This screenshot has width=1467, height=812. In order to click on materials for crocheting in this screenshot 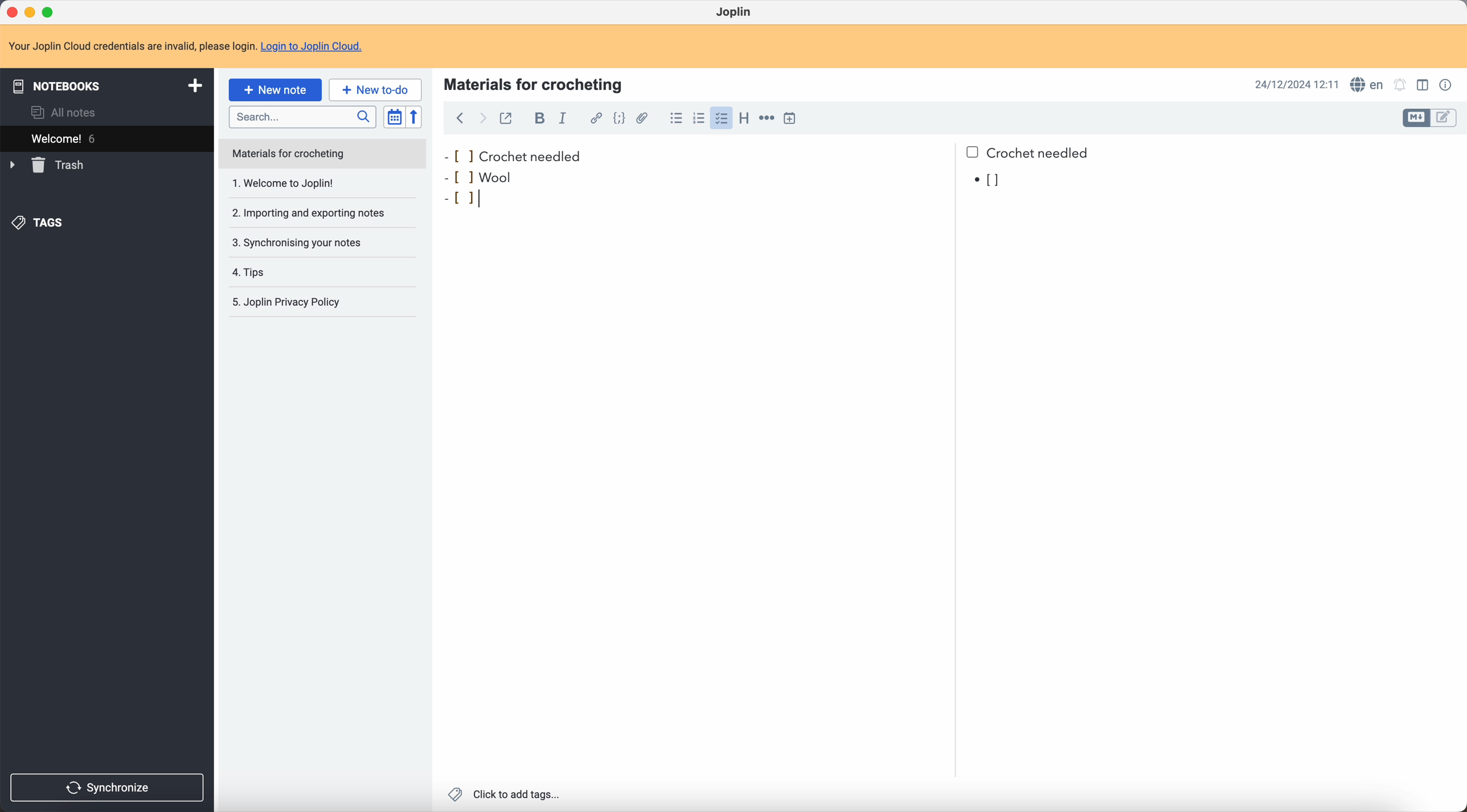, I will do `click(535, 83)`.